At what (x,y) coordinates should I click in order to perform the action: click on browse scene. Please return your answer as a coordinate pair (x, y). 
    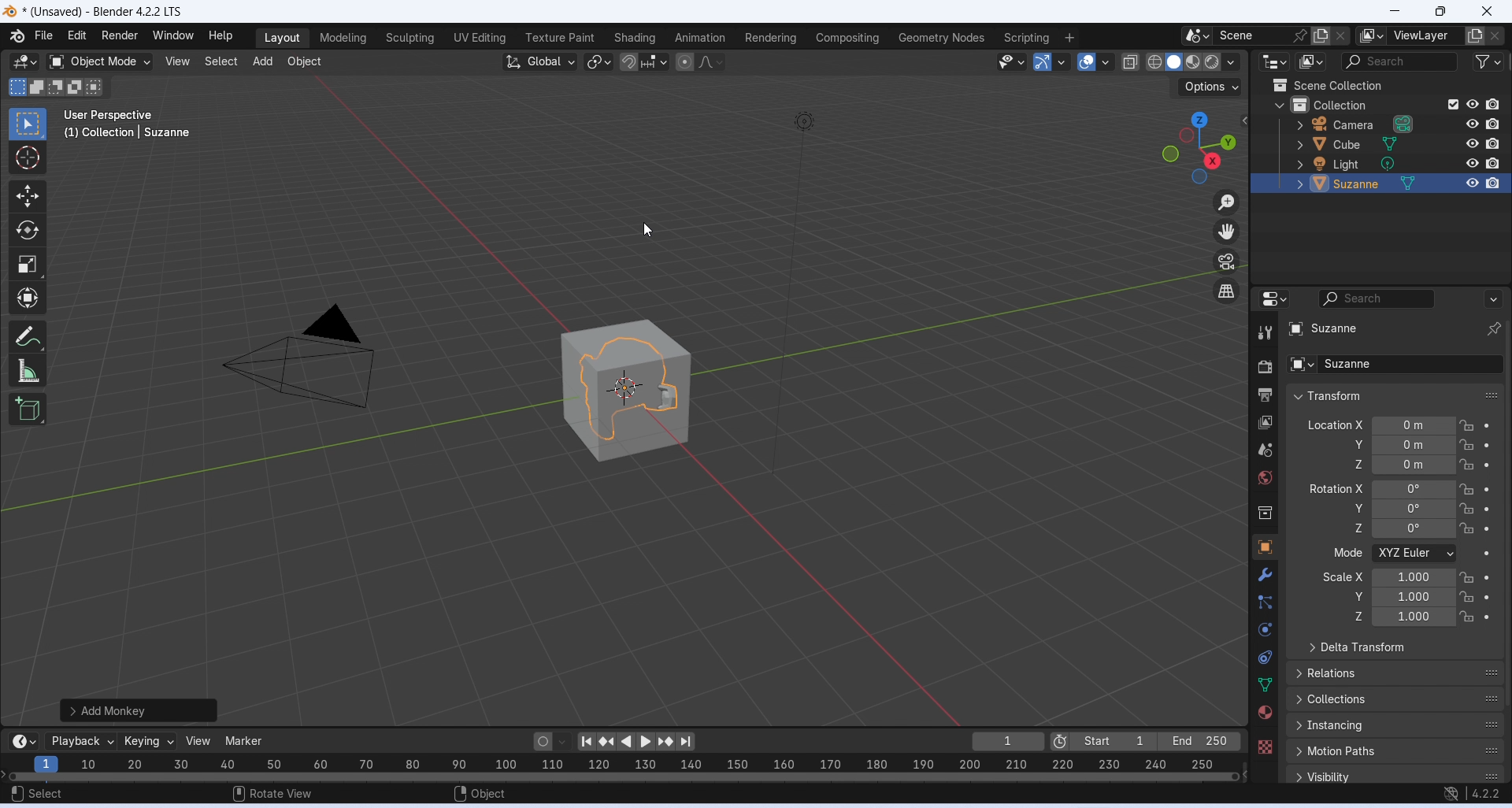
    Looking at the image, I should click on (1198, 35).